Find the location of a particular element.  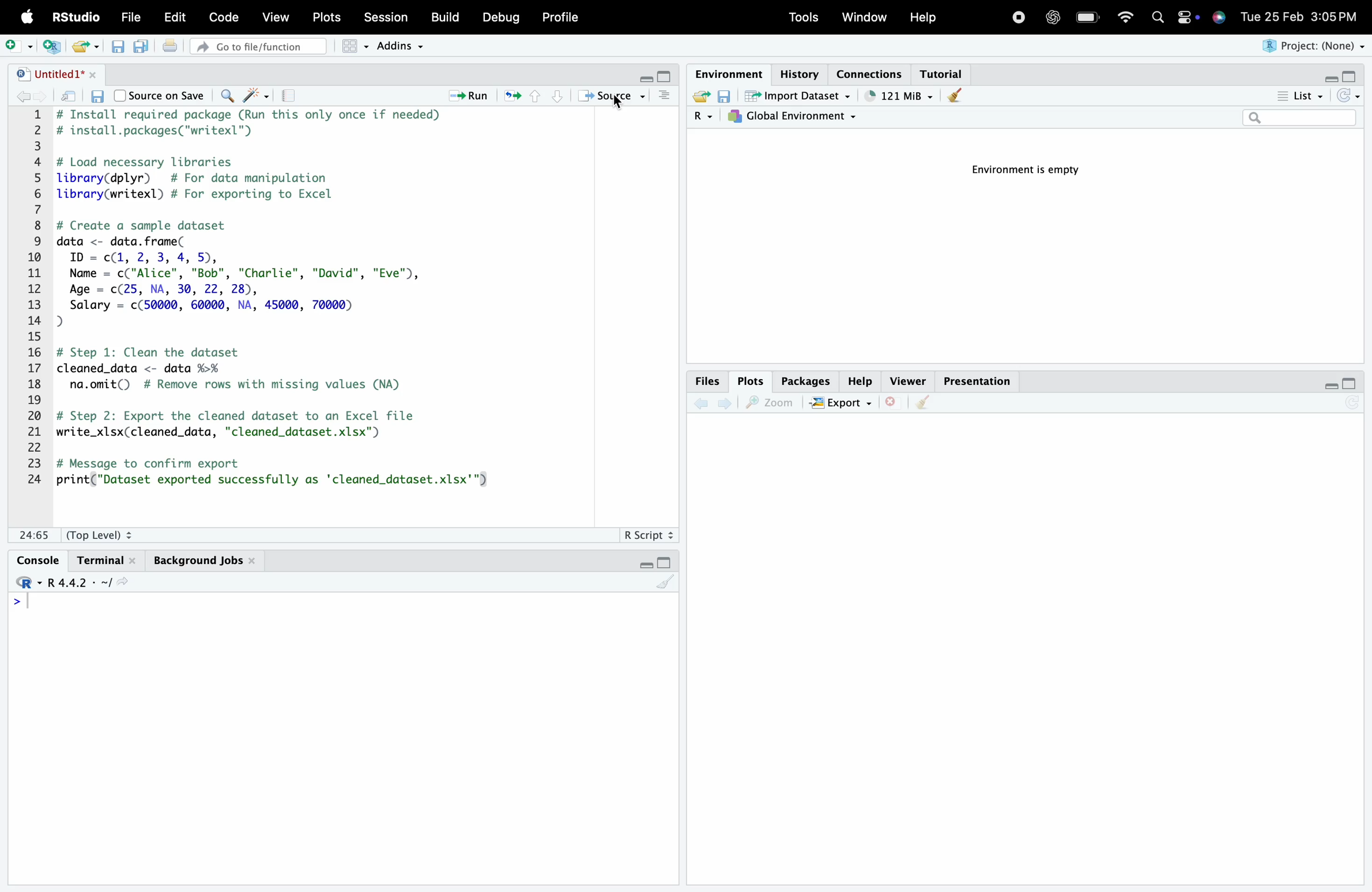

Go forward to the next source location (Ctrl + F10) is located at coordinates (726, 402).